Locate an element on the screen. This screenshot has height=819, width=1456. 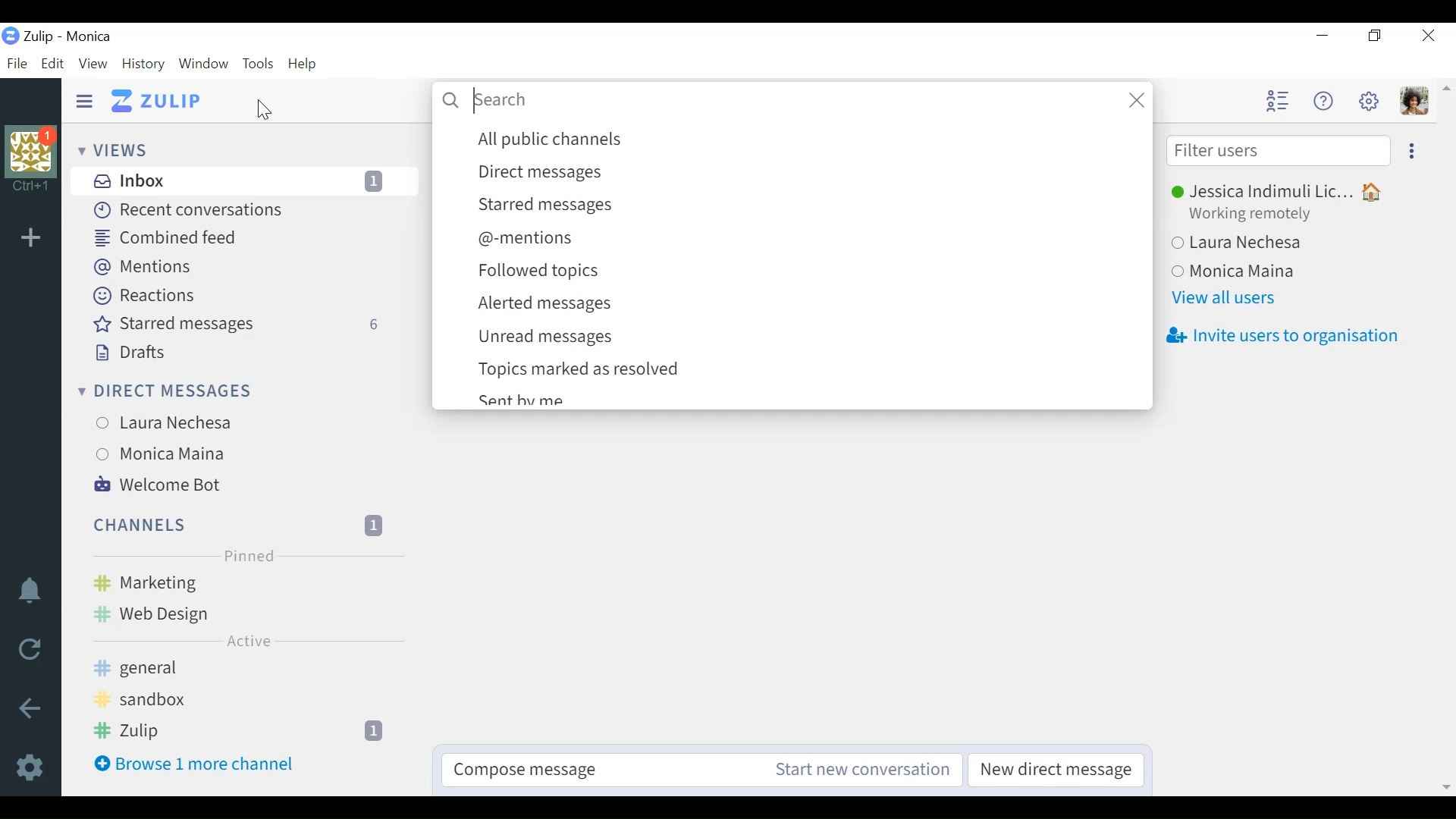
Active is located at coordinates (245, 641).